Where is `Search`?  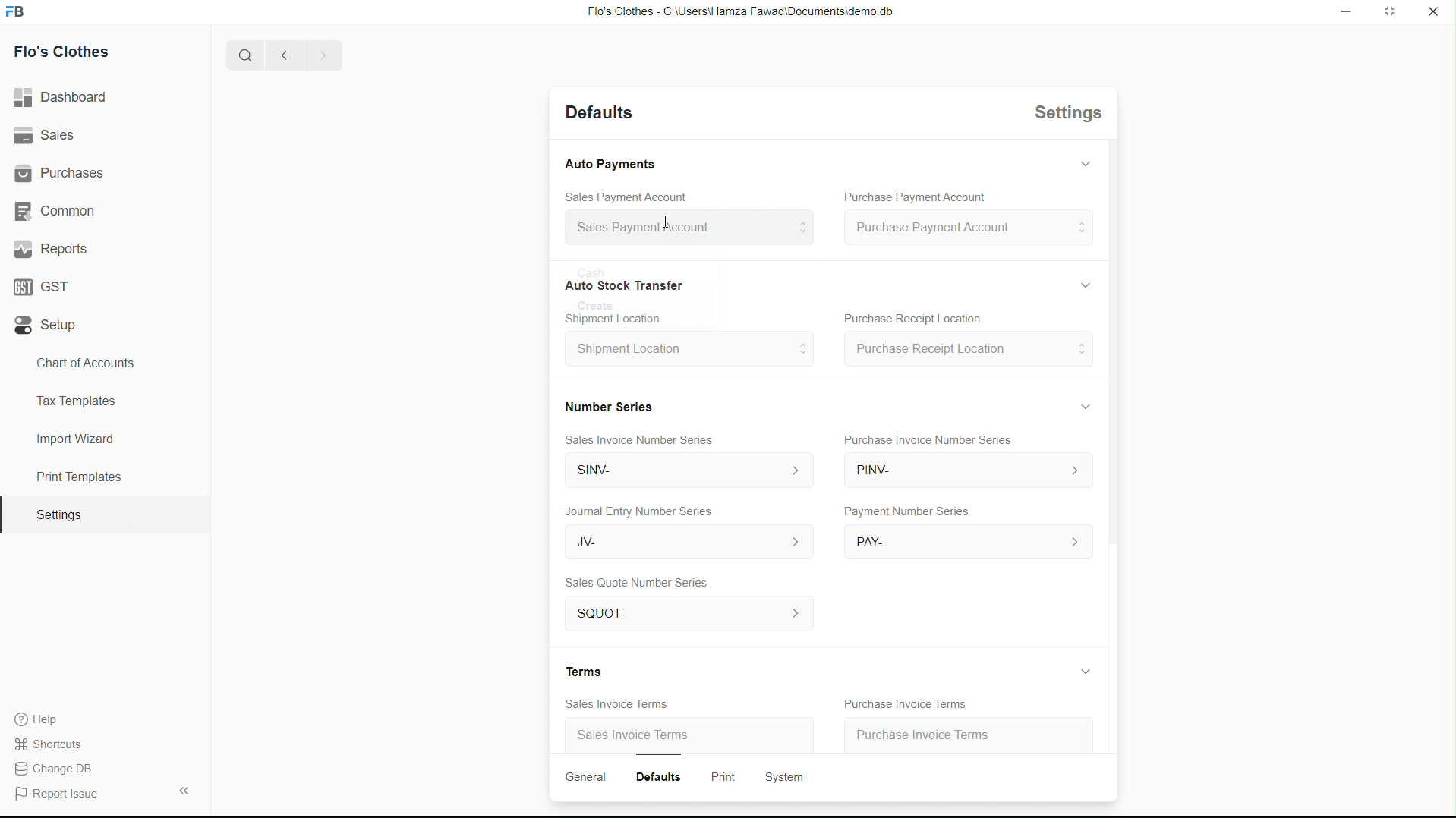
Search is located at coordinates (240, 55).